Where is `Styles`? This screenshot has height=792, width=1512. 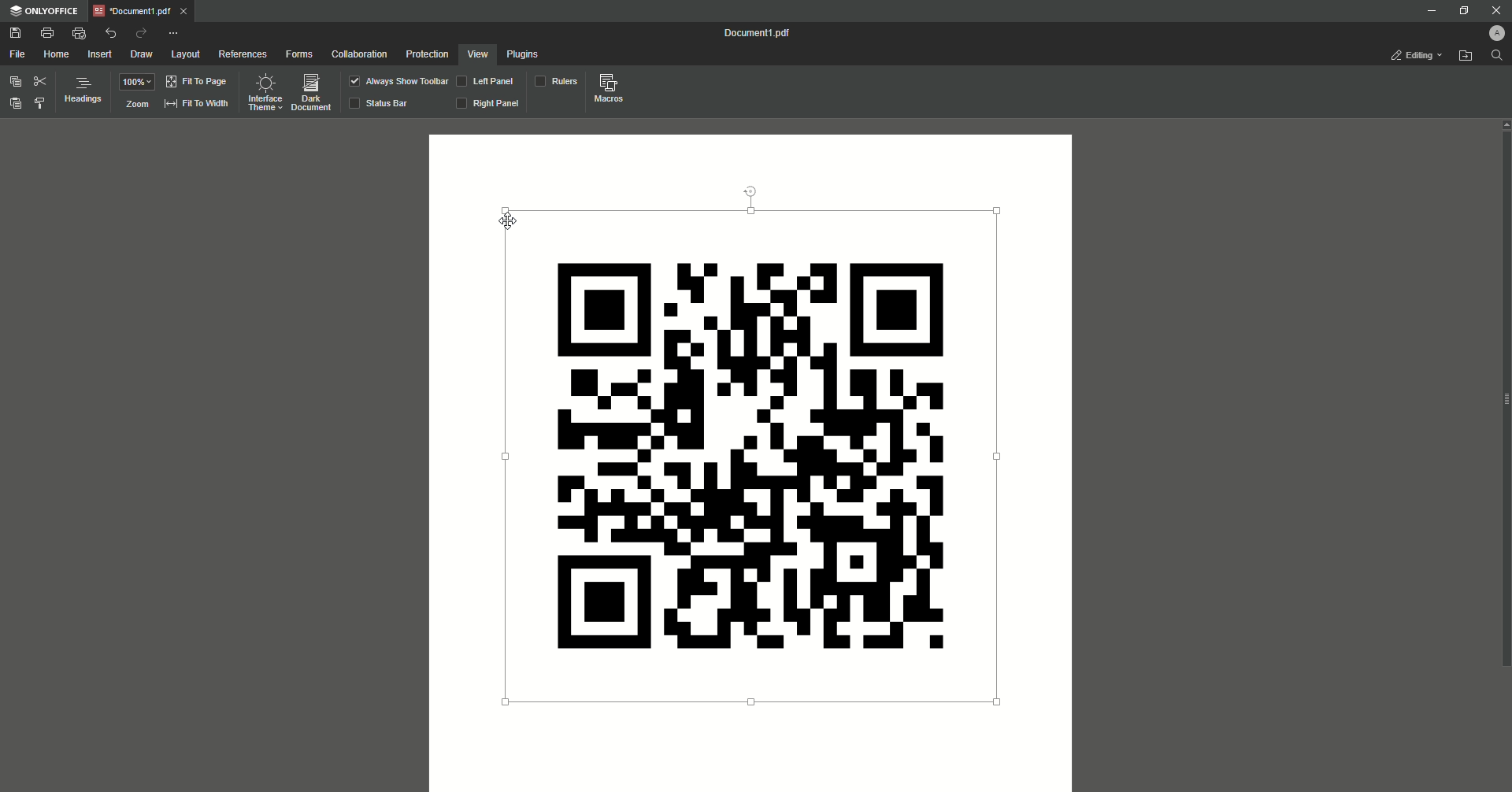 Styles is located at coordinates (39, 103).